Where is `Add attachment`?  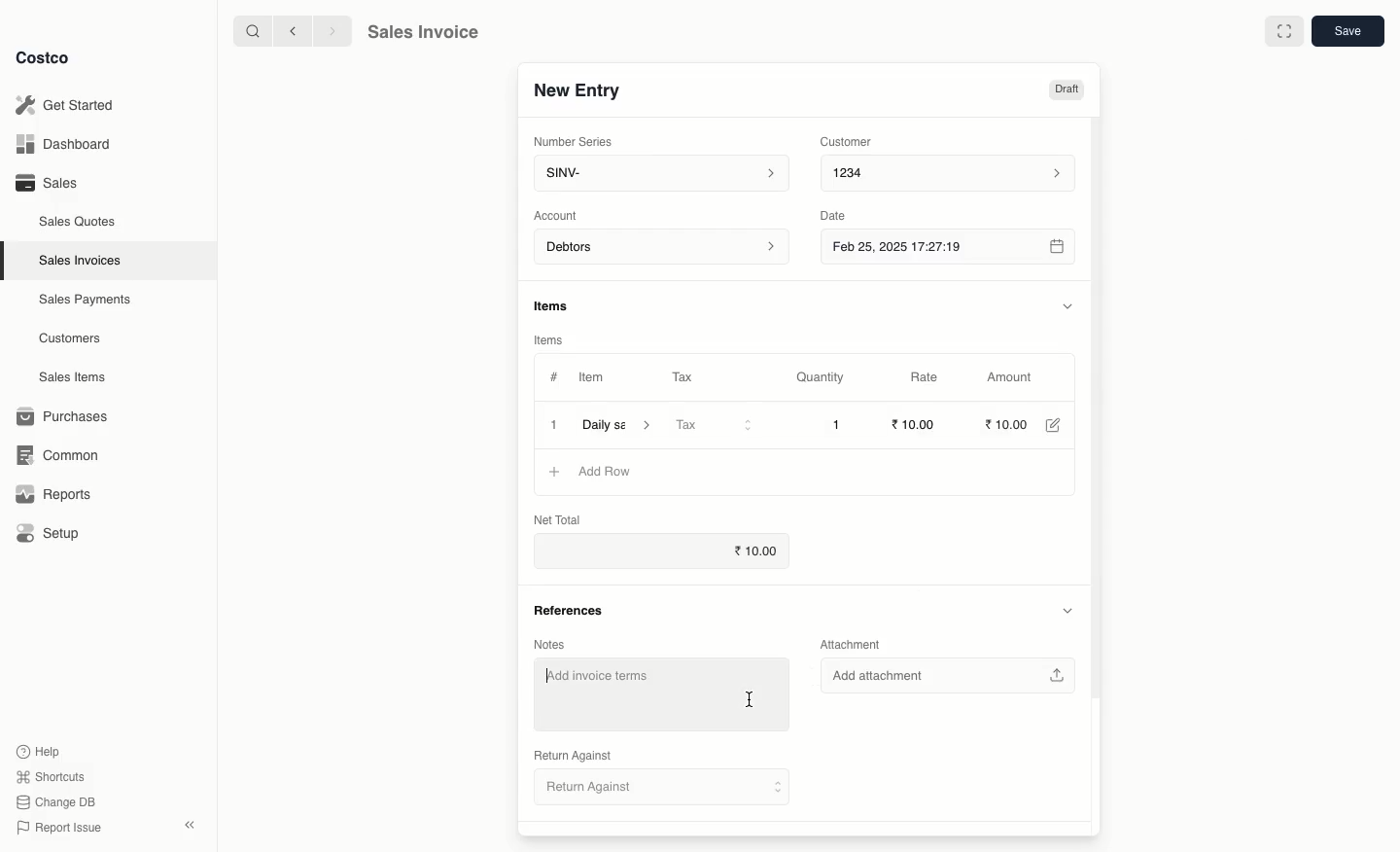 Add attachment is located at coordinates (949, 675).